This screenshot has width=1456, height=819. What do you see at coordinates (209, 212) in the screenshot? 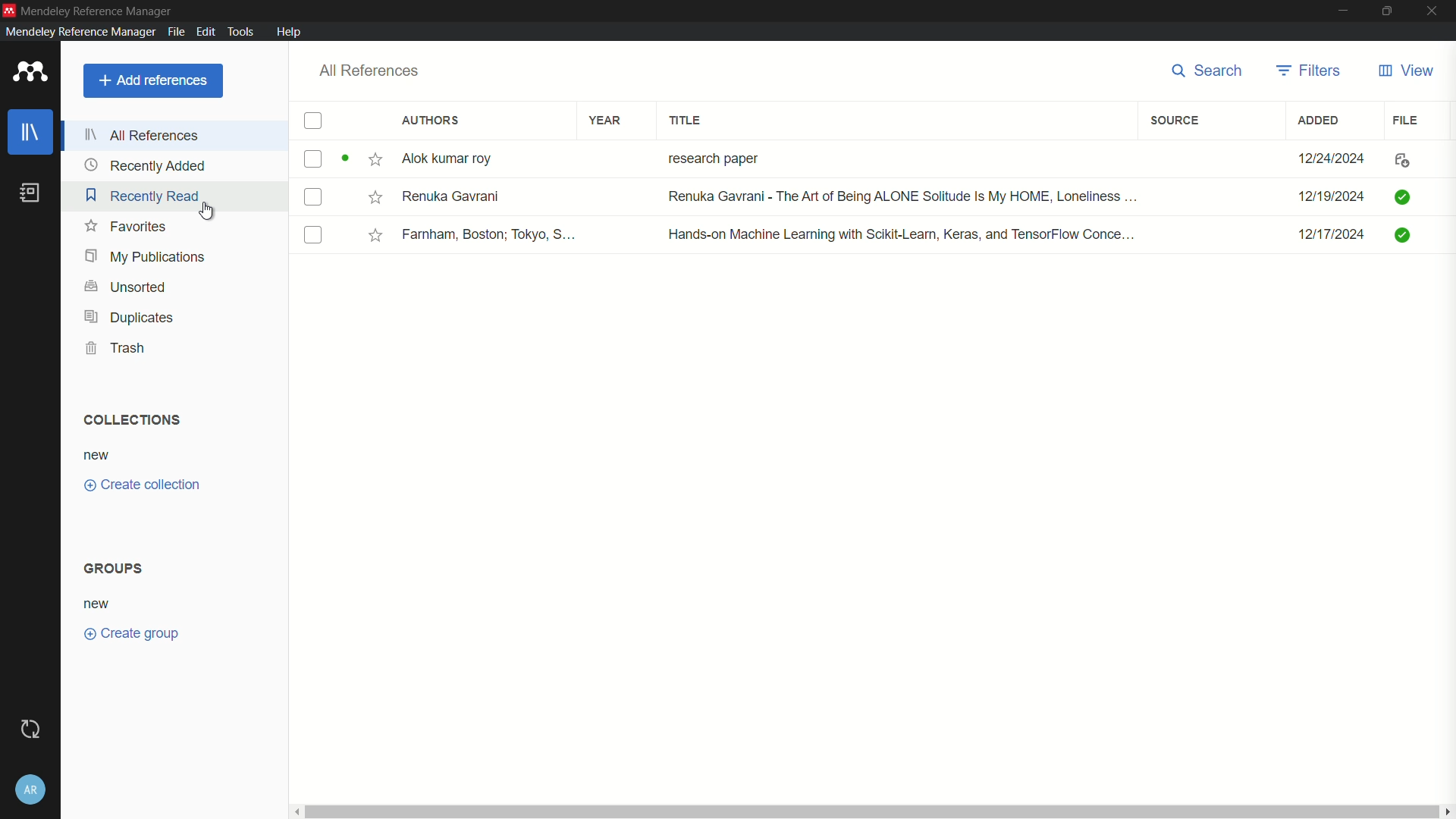
I see `cursor` at bounding box center [209, 212].